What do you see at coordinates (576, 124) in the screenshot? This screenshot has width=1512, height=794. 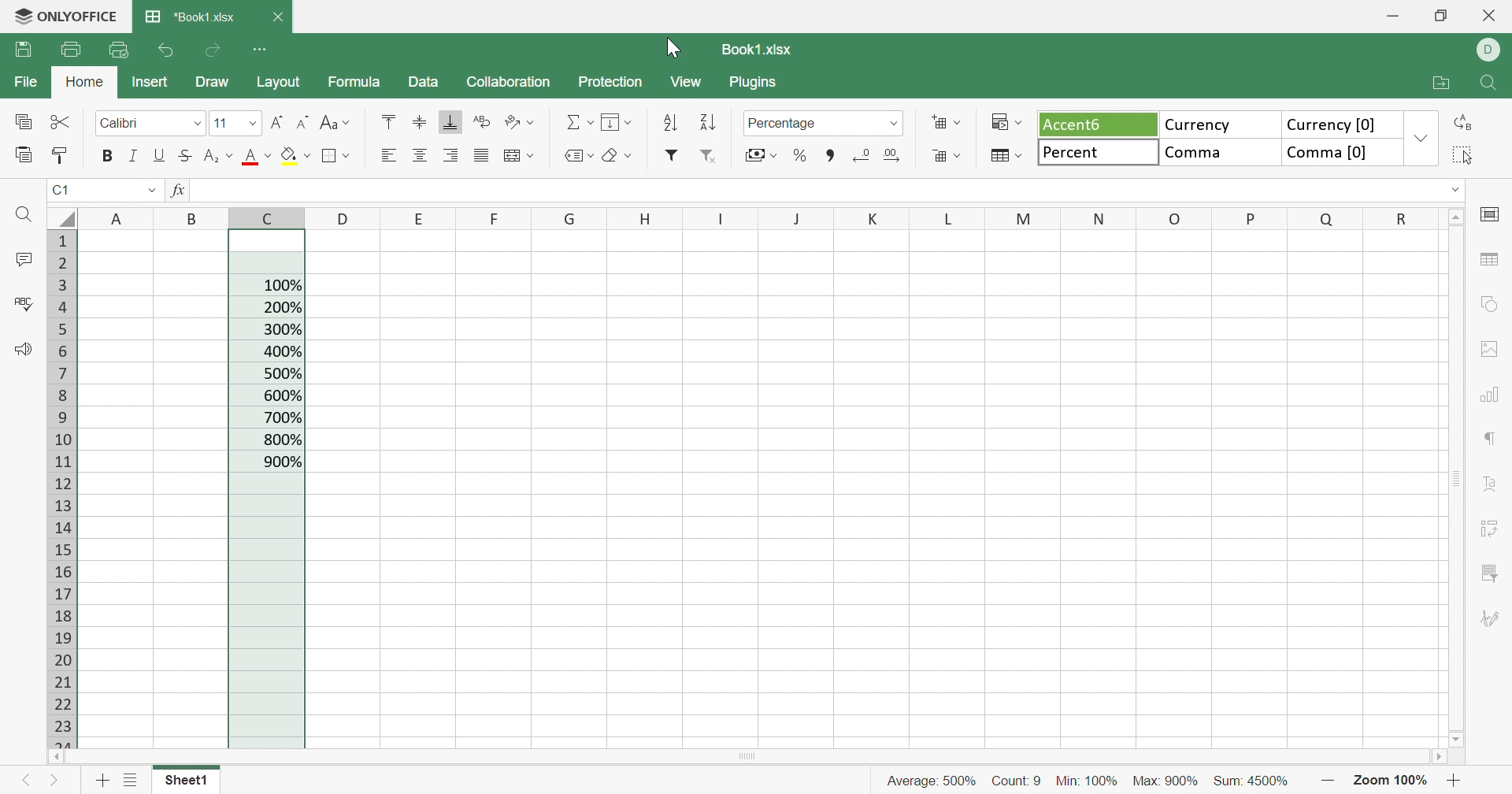 I see `Summation` at bounding box center [576, 124].